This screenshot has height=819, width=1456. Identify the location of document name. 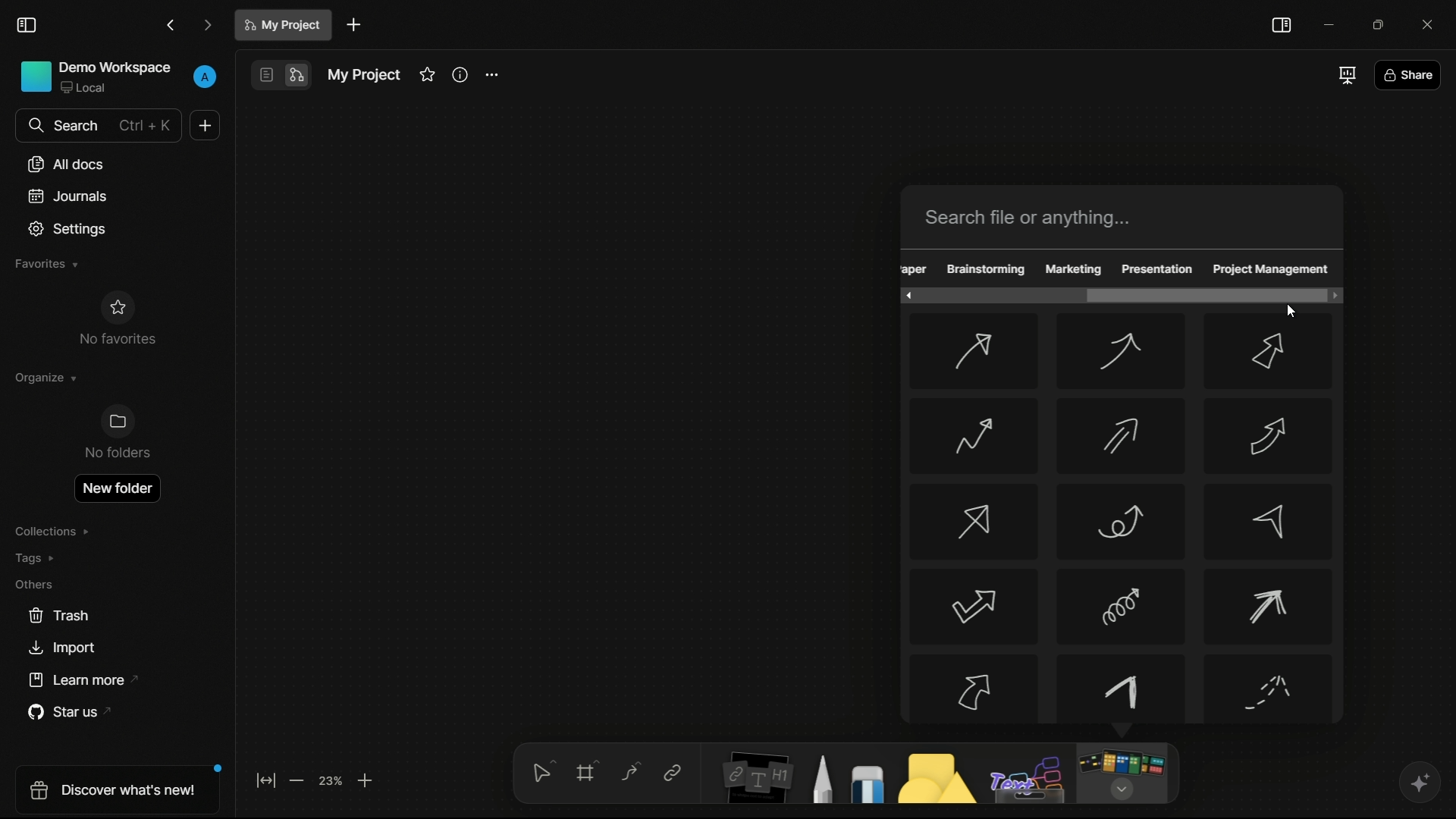
(362, 75).